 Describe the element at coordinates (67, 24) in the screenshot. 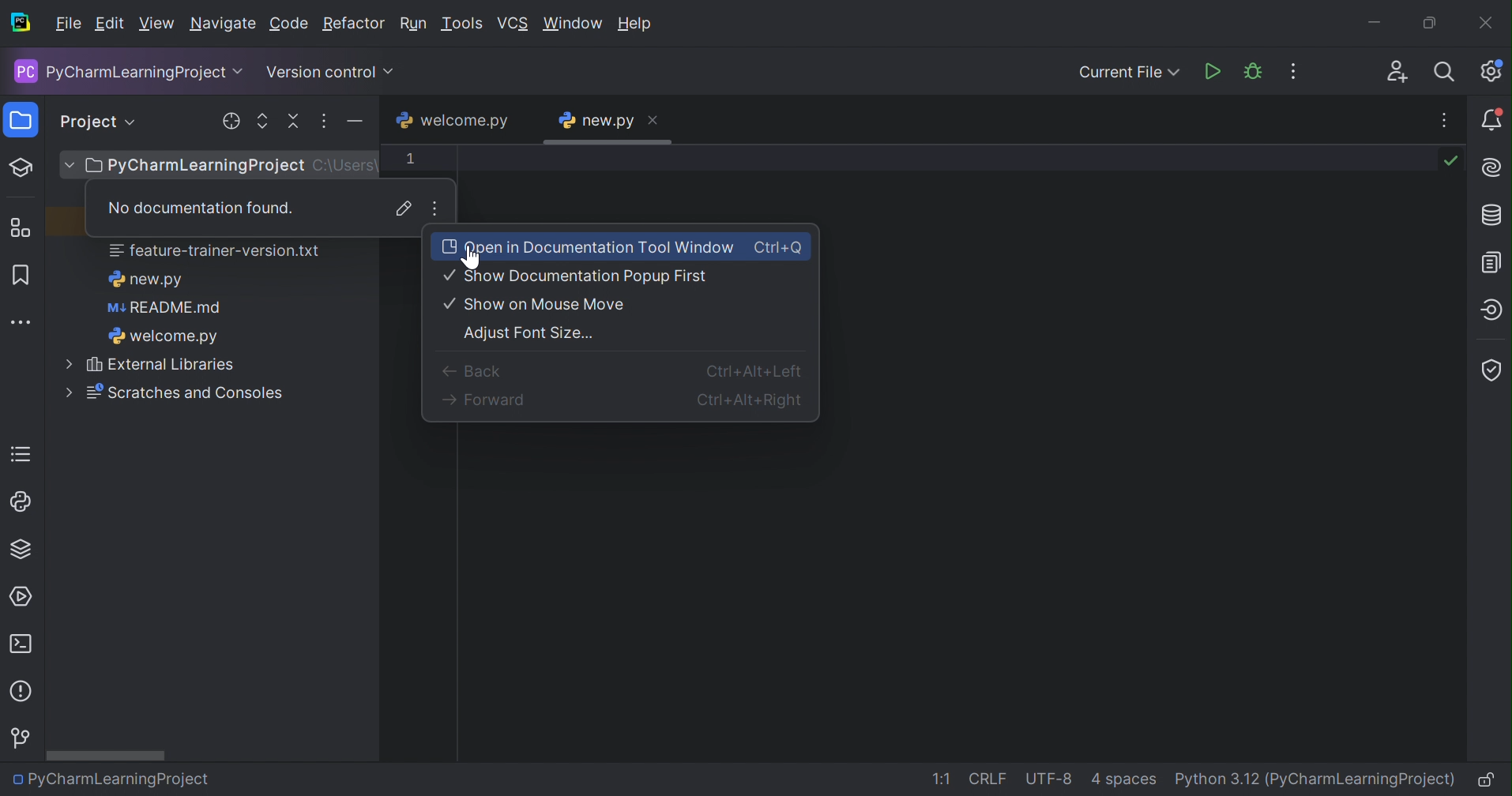

I see `File` at that location.